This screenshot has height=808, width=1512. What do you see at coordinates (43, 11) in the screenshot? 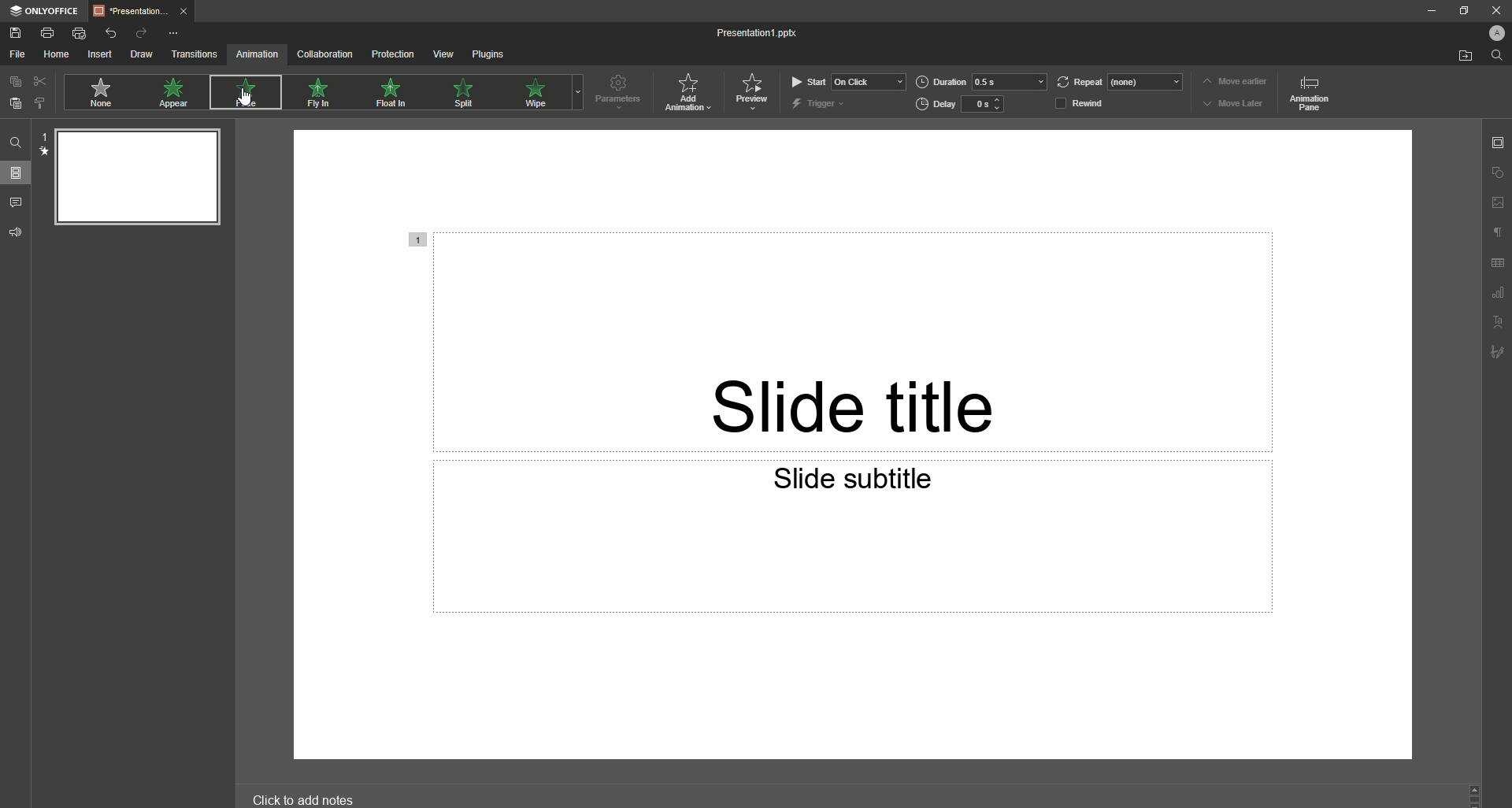
I see `ONLYOFFICE` at bounding box center [43, 11].